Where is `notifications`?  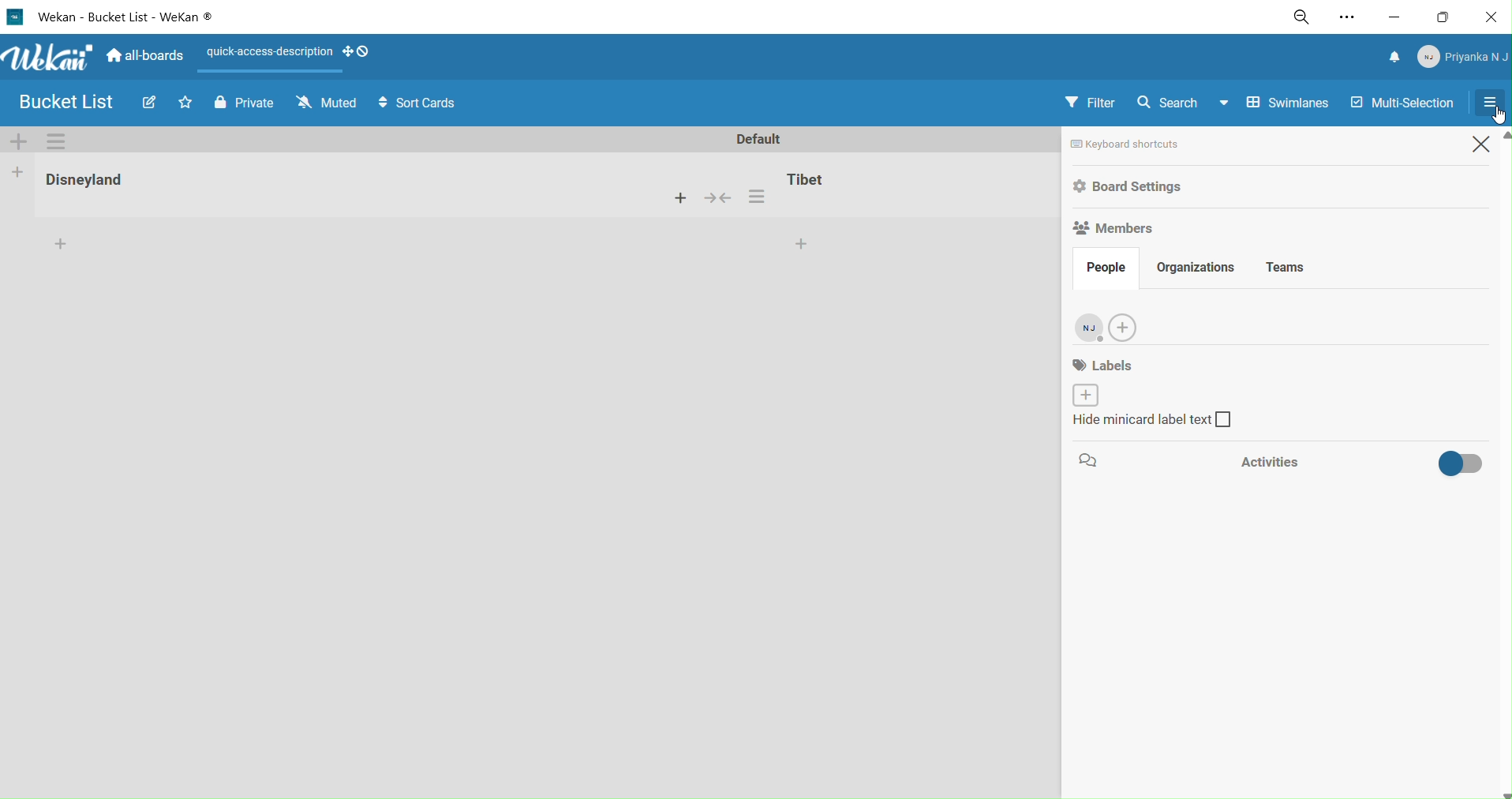 notifications is located at coordinates (1391, 58).